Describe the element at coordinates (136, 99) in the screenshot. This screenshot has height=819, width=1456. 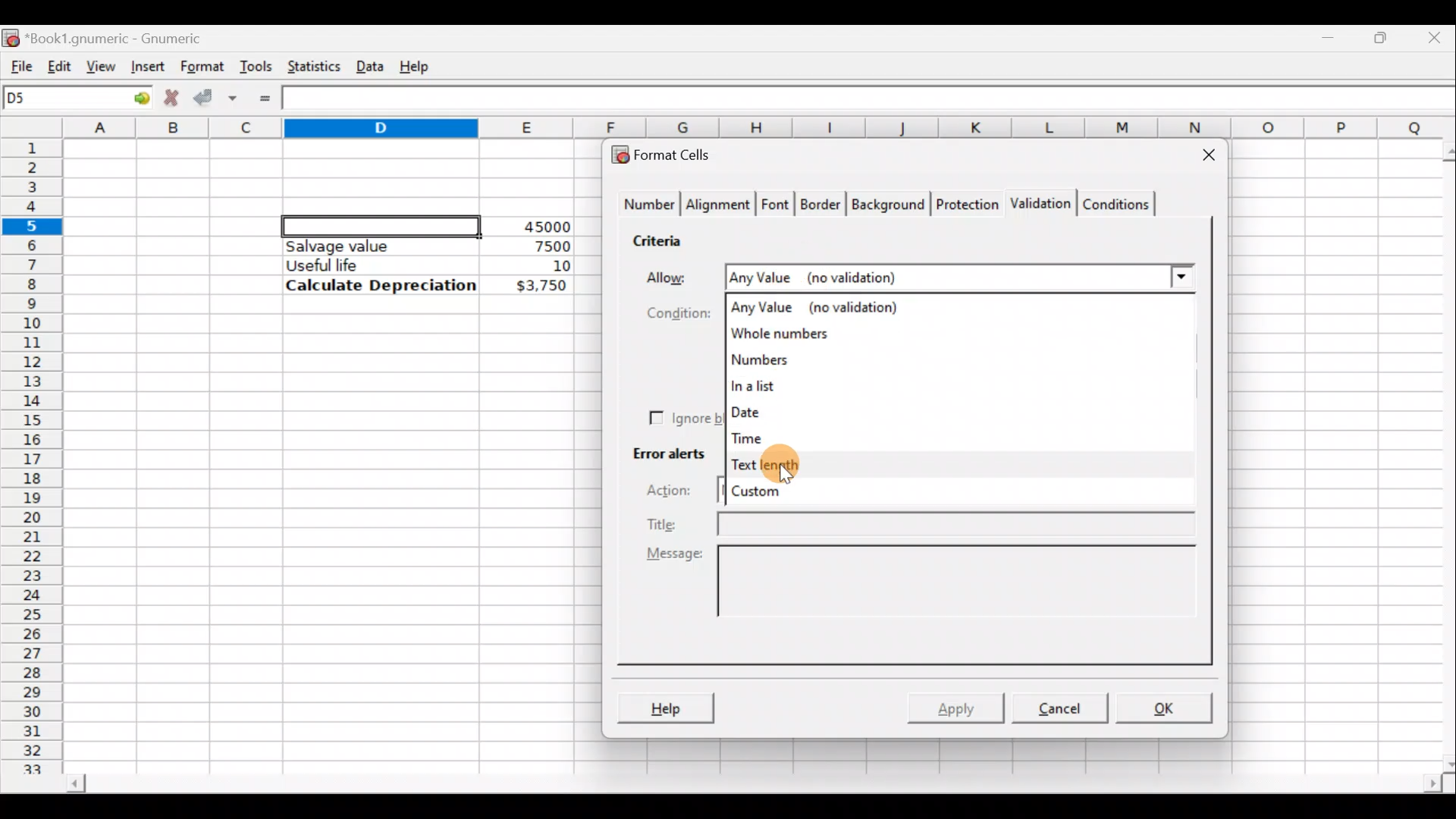
I see `Go to` at that location.